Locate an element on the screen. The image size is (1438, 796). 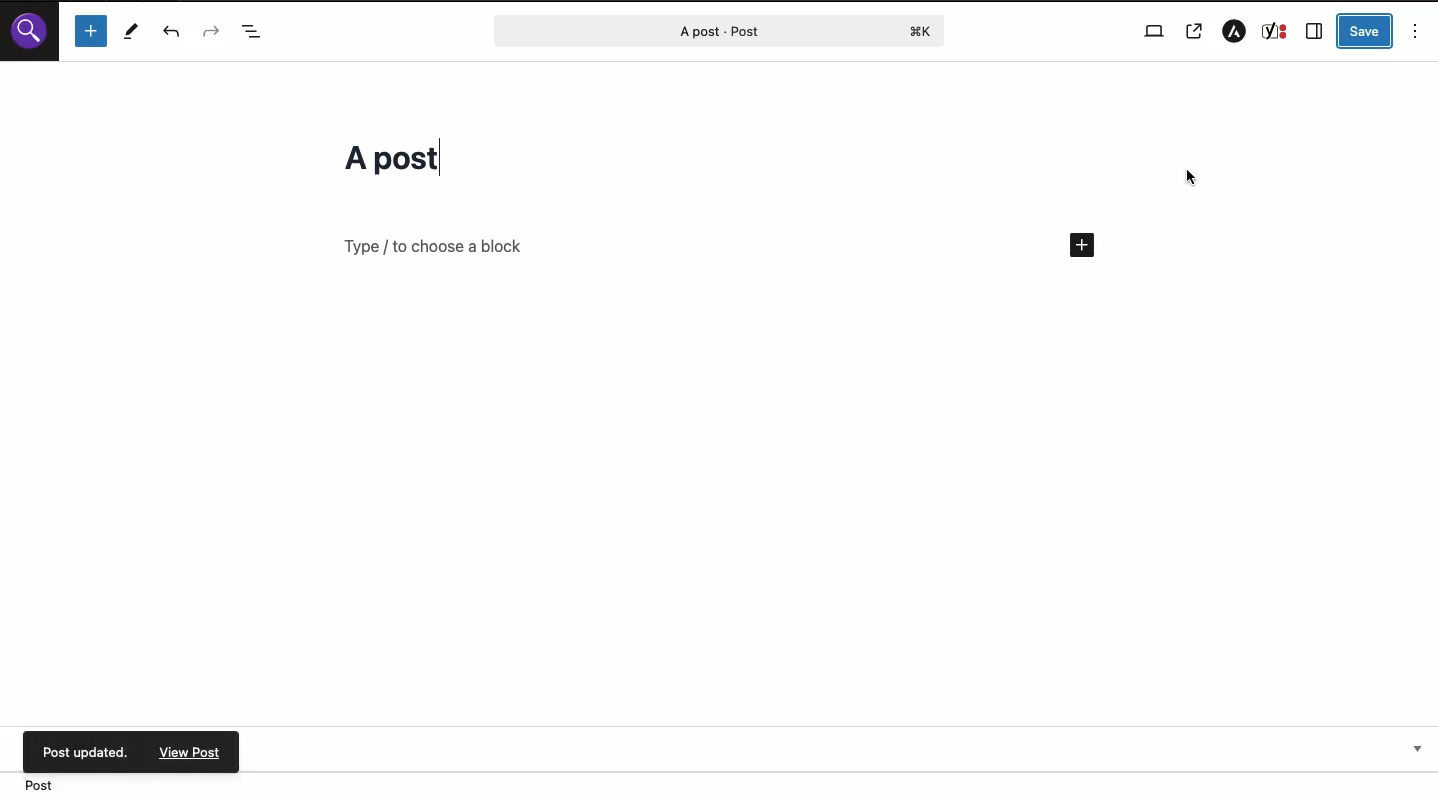
Add new block is located at coordinates (1081, 246).